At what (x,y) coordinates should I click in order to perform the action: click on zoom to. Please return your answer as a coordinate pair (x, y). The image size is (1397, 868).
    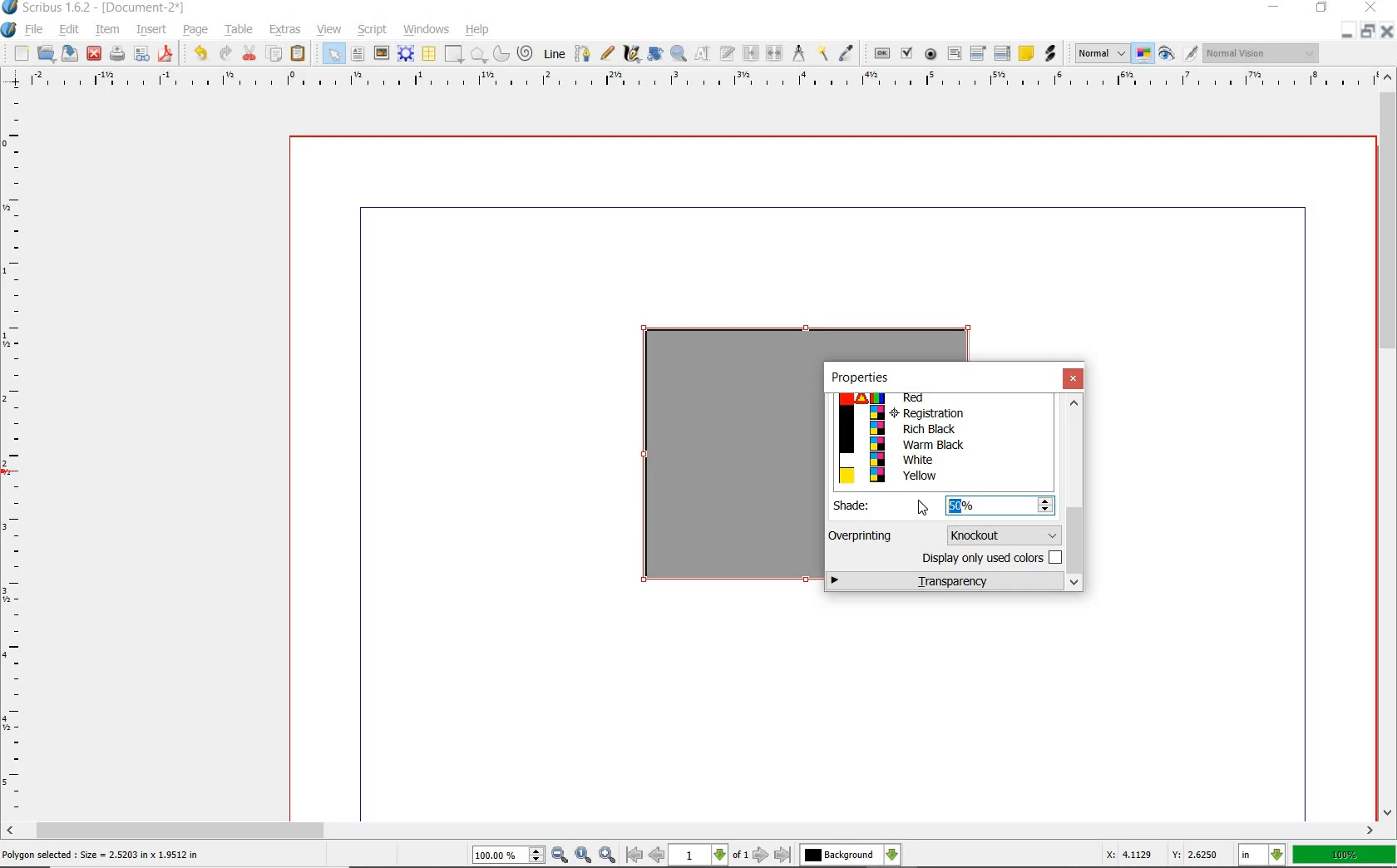
    Looking at the image, I should click on (583, 855).